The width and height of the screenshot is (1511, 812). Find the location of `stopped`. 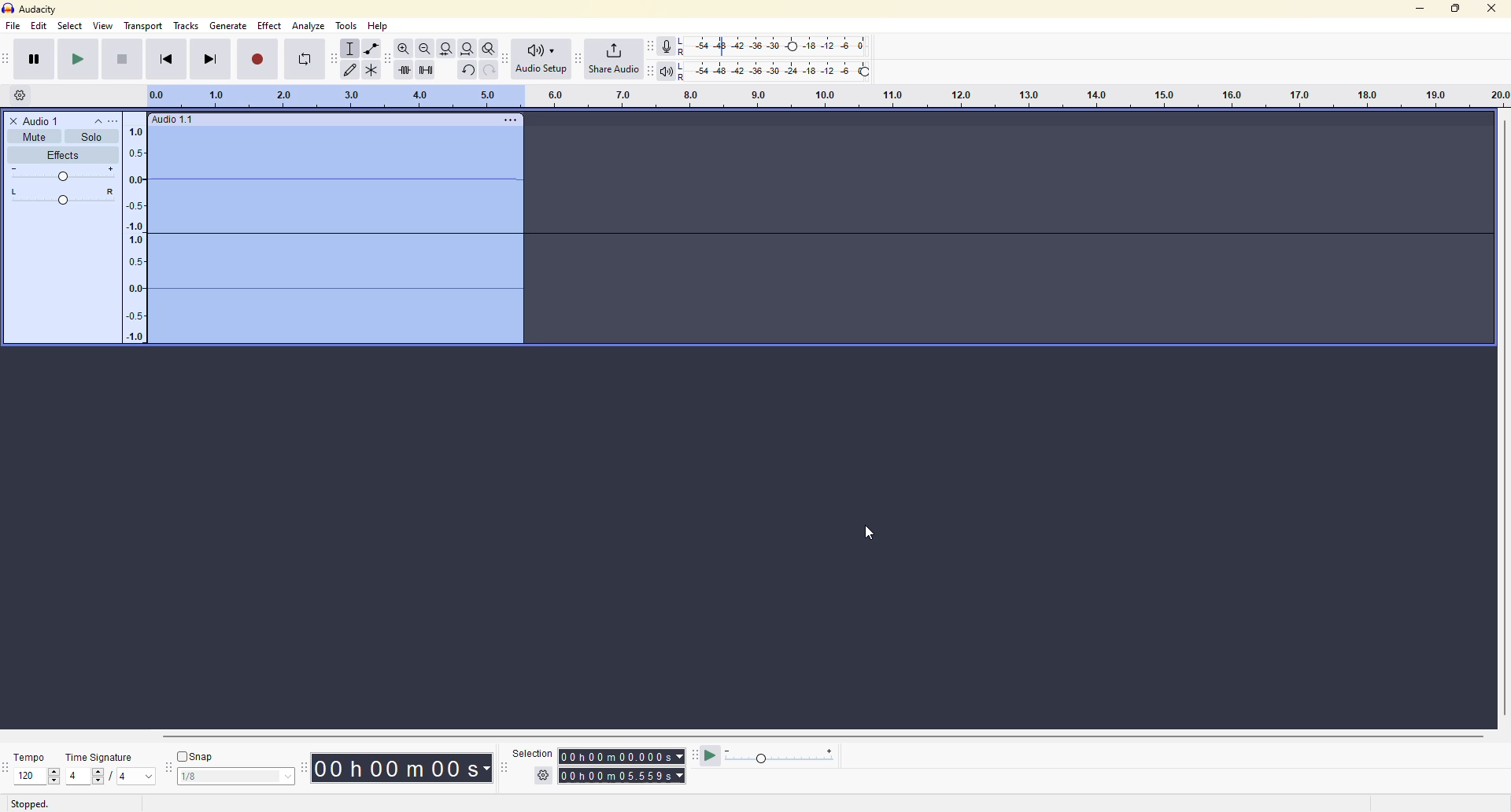

stopped is located at coordinates (29, 803).